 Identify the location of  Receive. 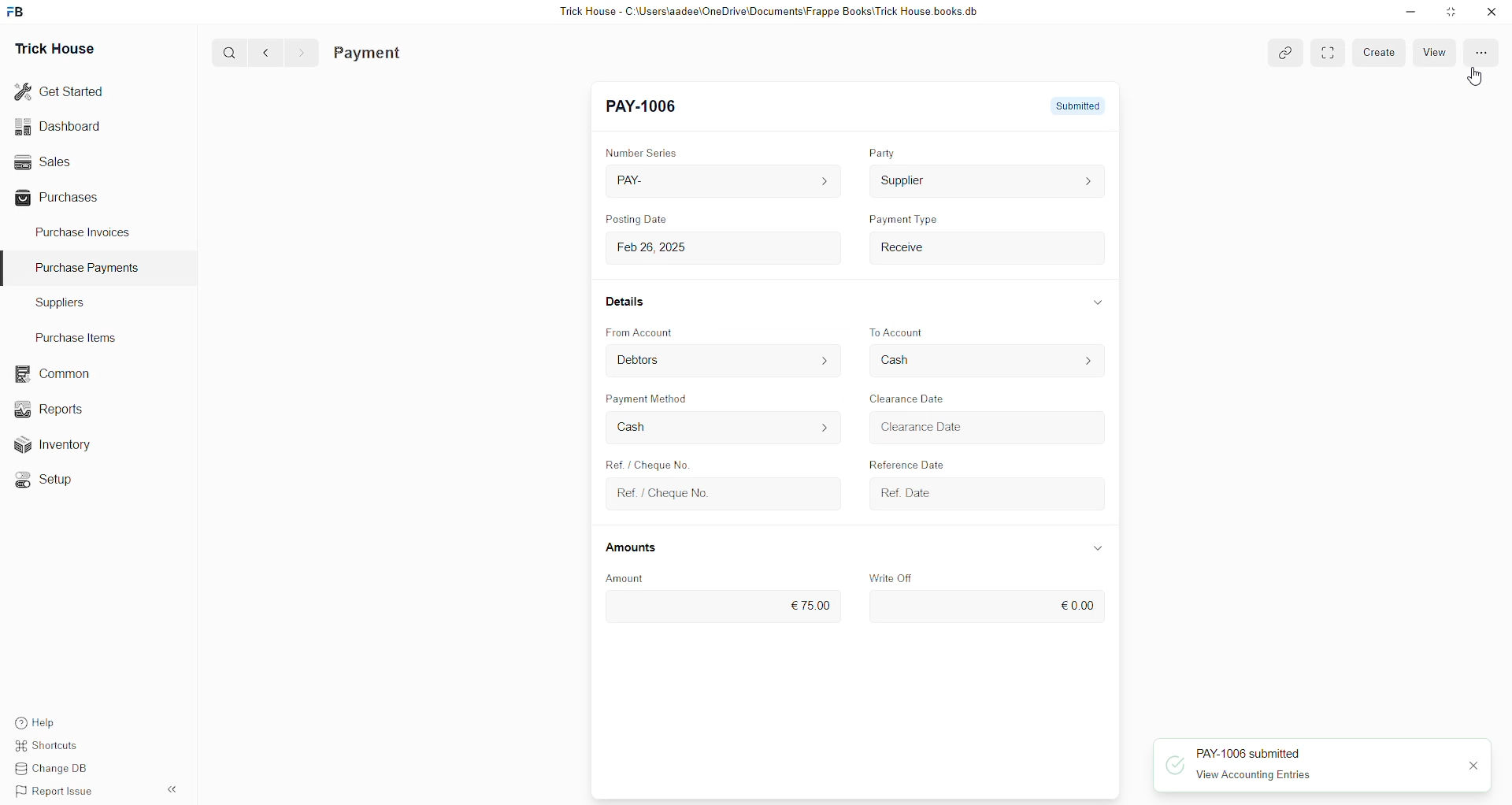
(981, 247).